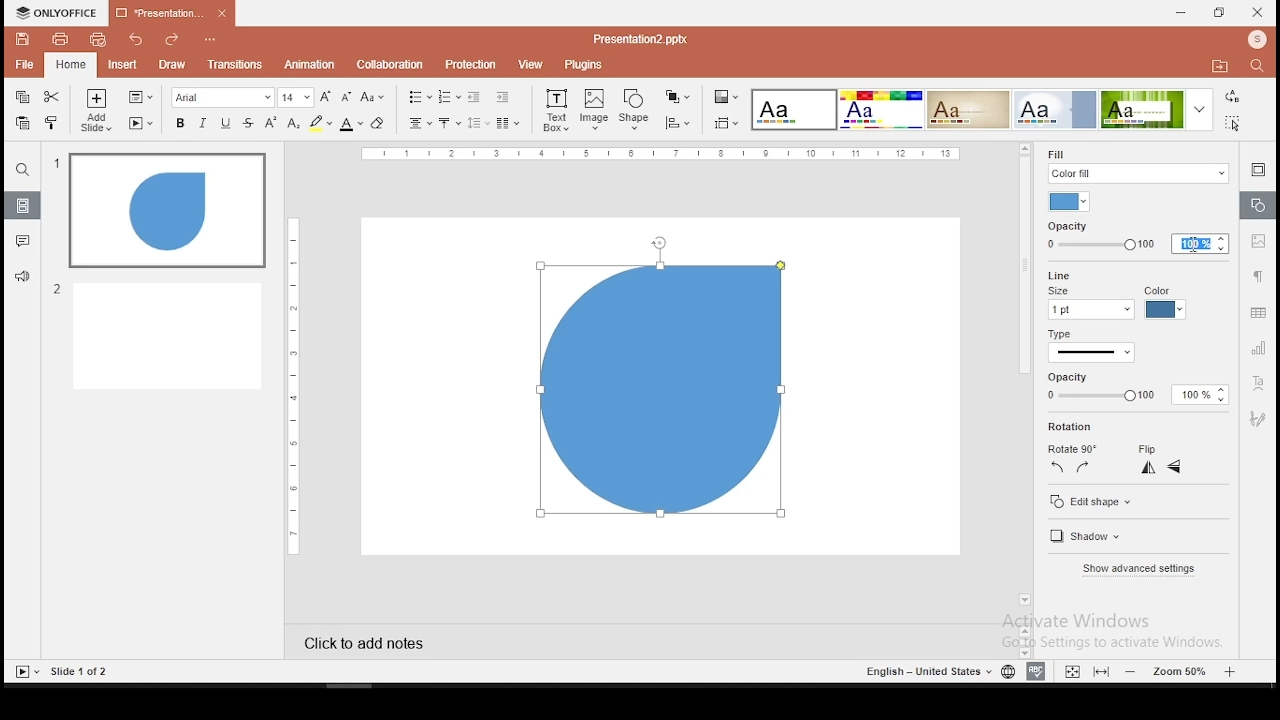  I want to click on decrease font size, so click(346, 98).